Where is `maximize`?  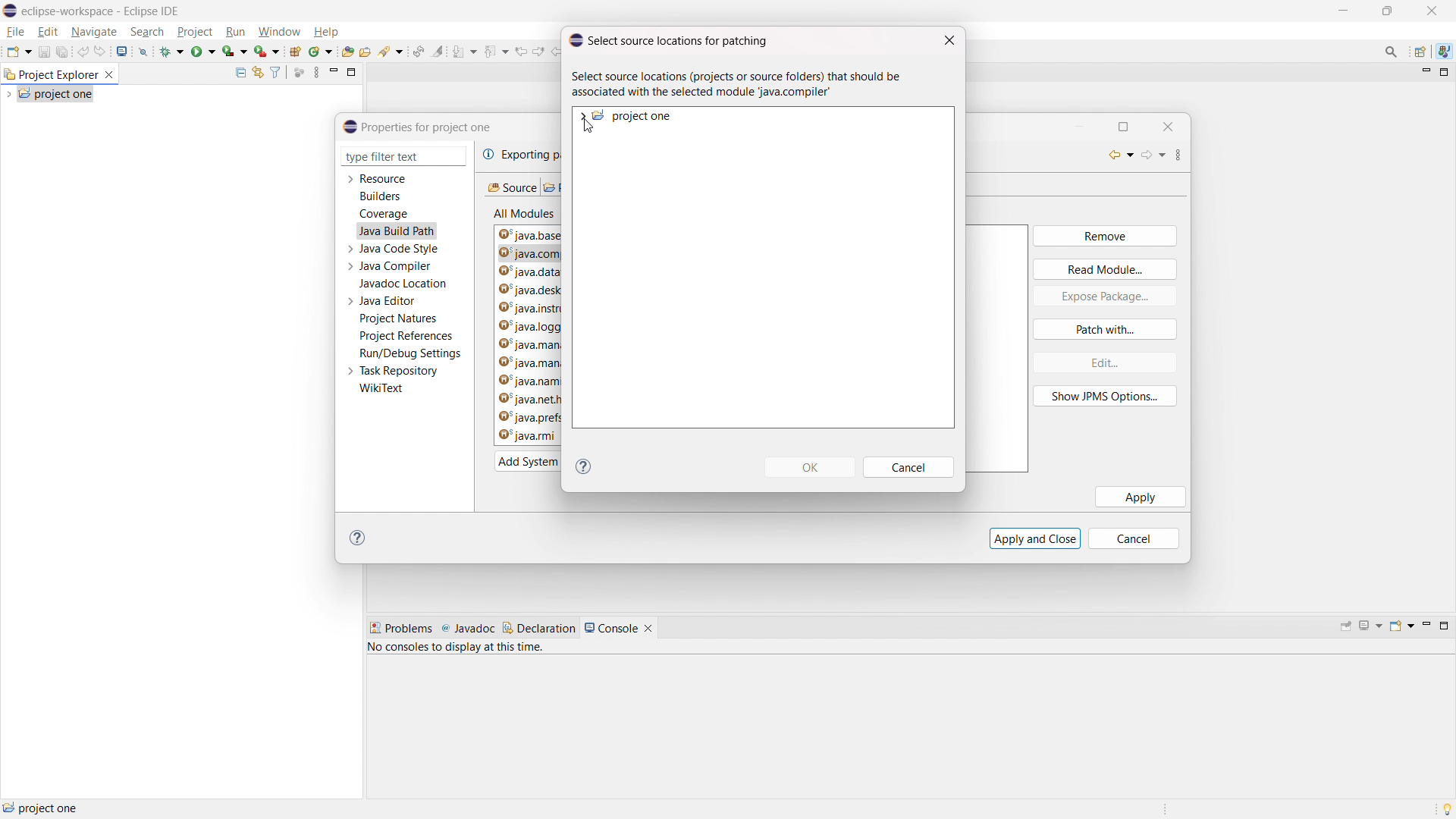
maximize is located at coordinates (1444, 626).